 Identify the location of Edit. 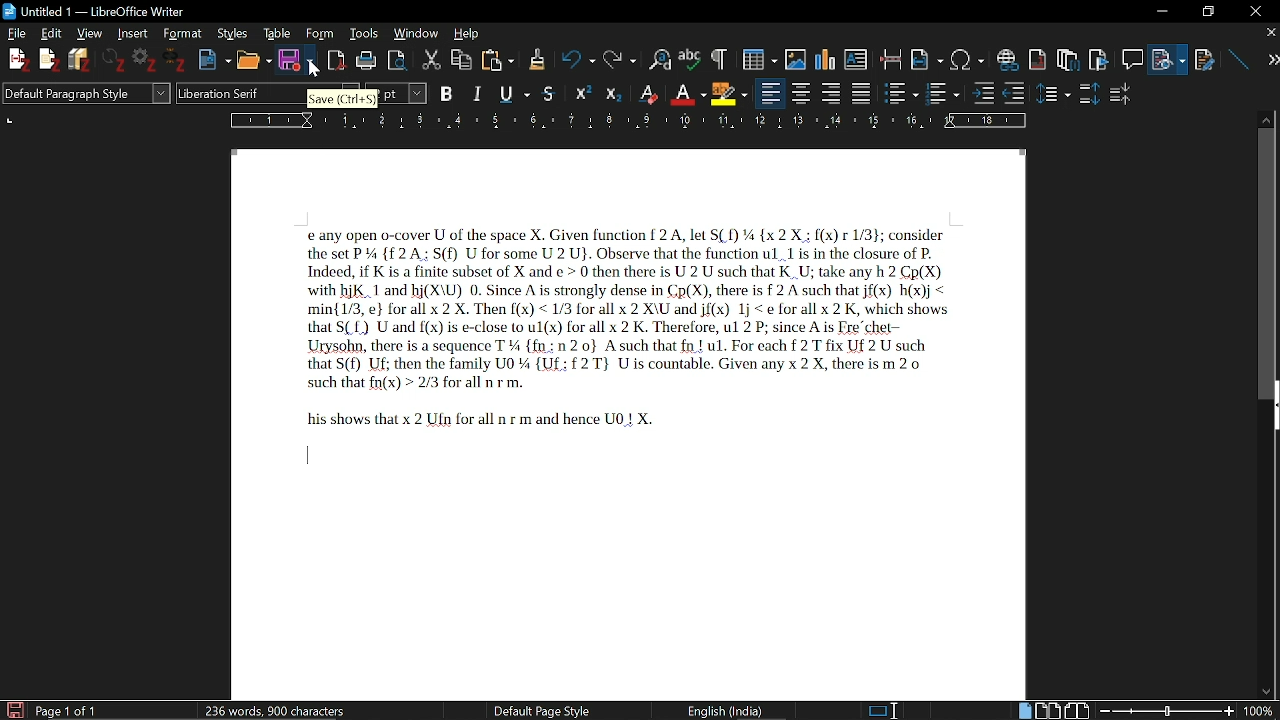
(54, 33).